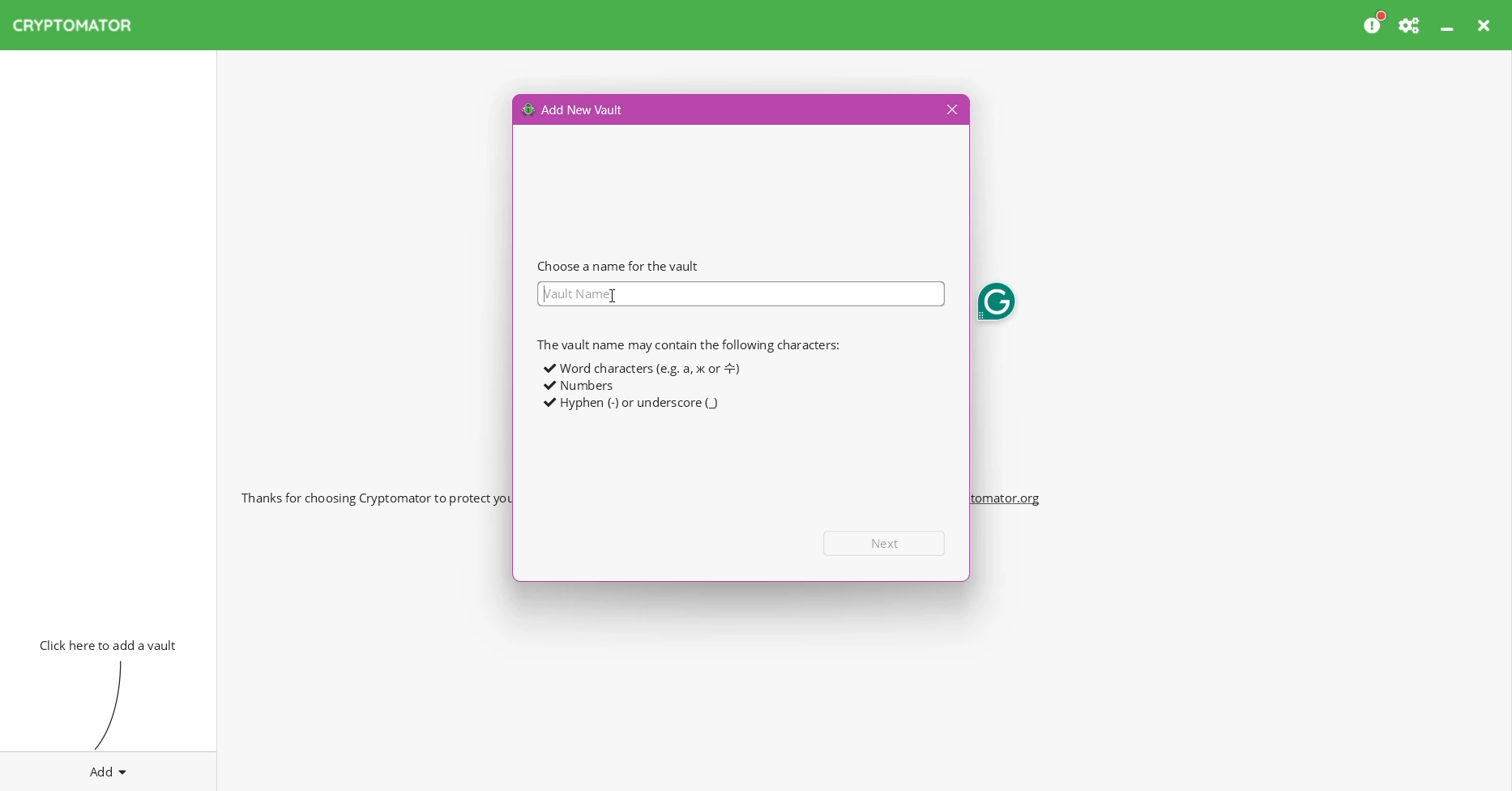 The height and width of the screenshot is (791, 1512). Describe the element at coordinates (740, 294) in the screenshot. I see `Vault Name` at that location.